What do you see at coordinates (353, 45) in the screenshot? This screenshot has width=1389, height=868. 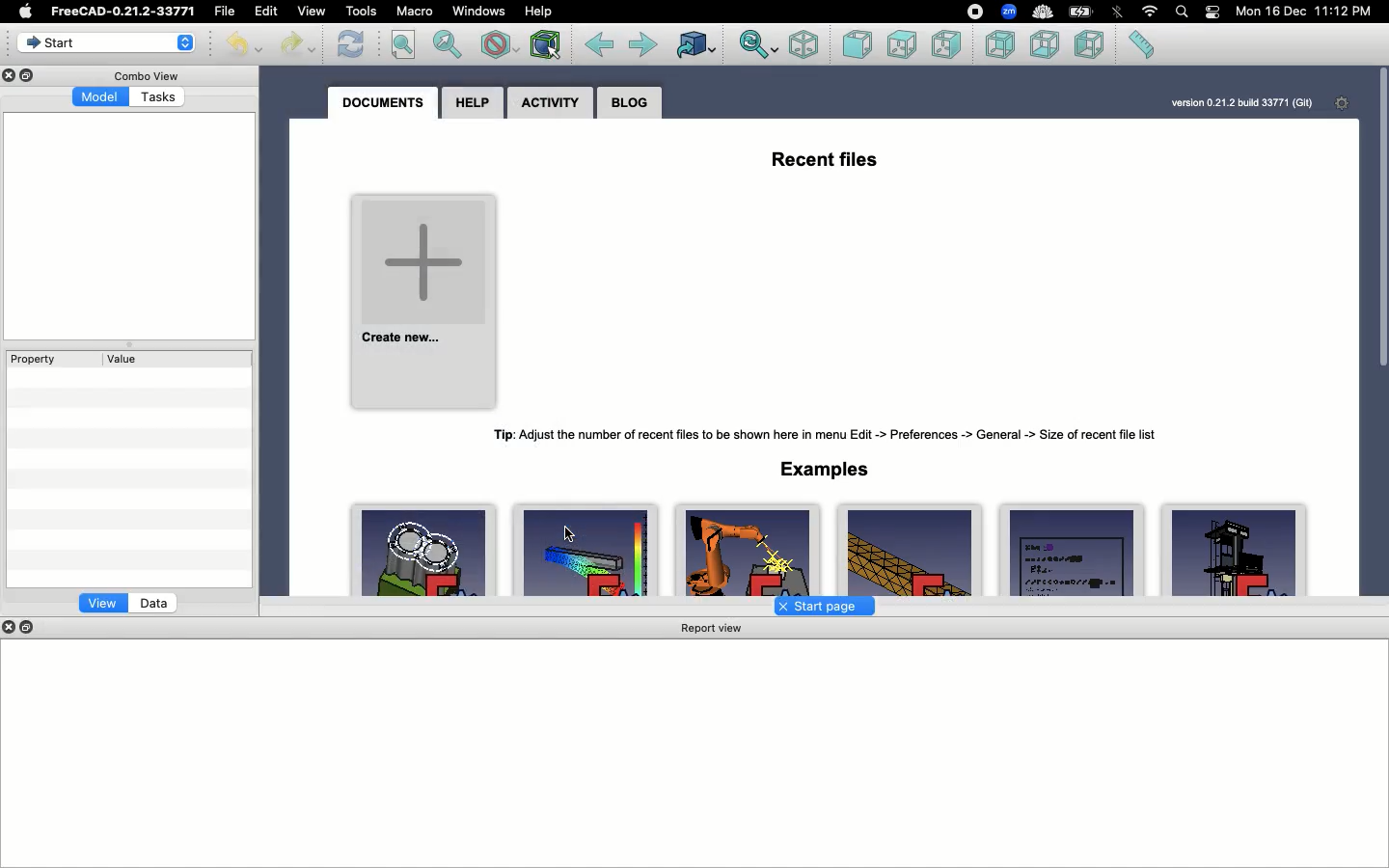 I see `Refresh` at bounding box center [353, 45].